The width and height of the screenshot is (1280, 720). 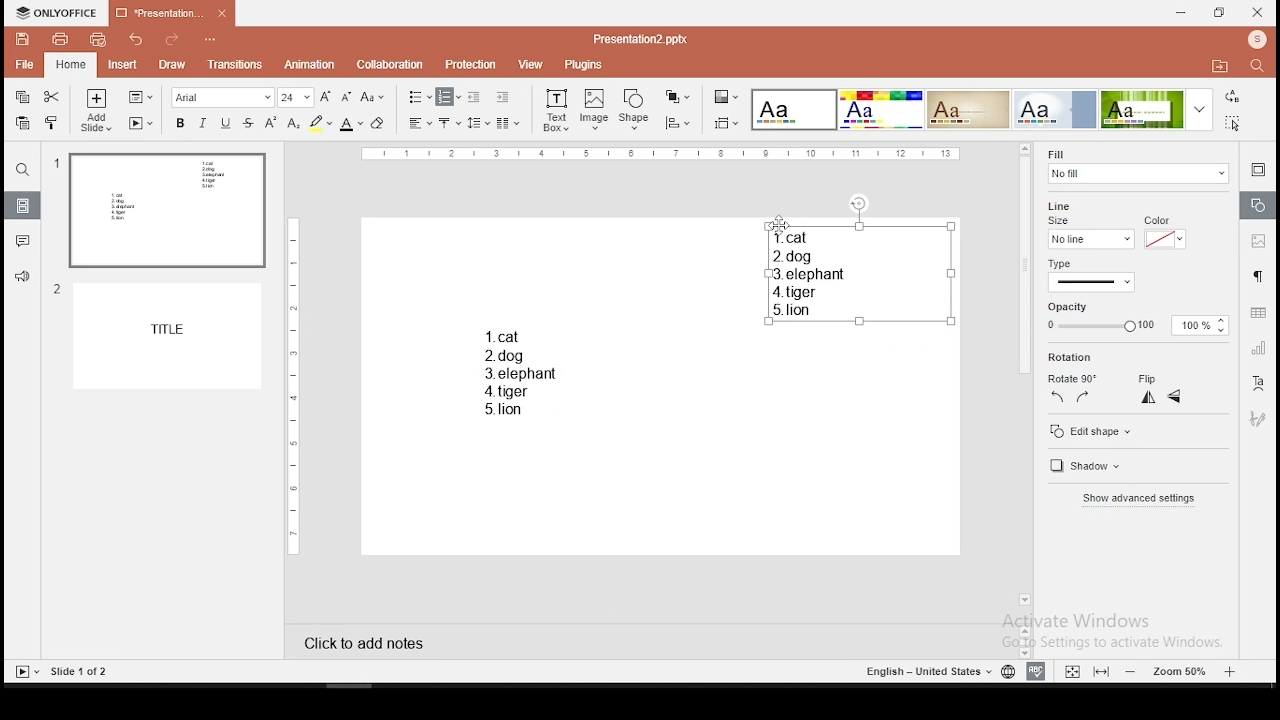 What do you see at coordinates (1059, 398) in the screenshot?
I see `rotate 90 counterclockwise` at bounding box center [1059, 398].